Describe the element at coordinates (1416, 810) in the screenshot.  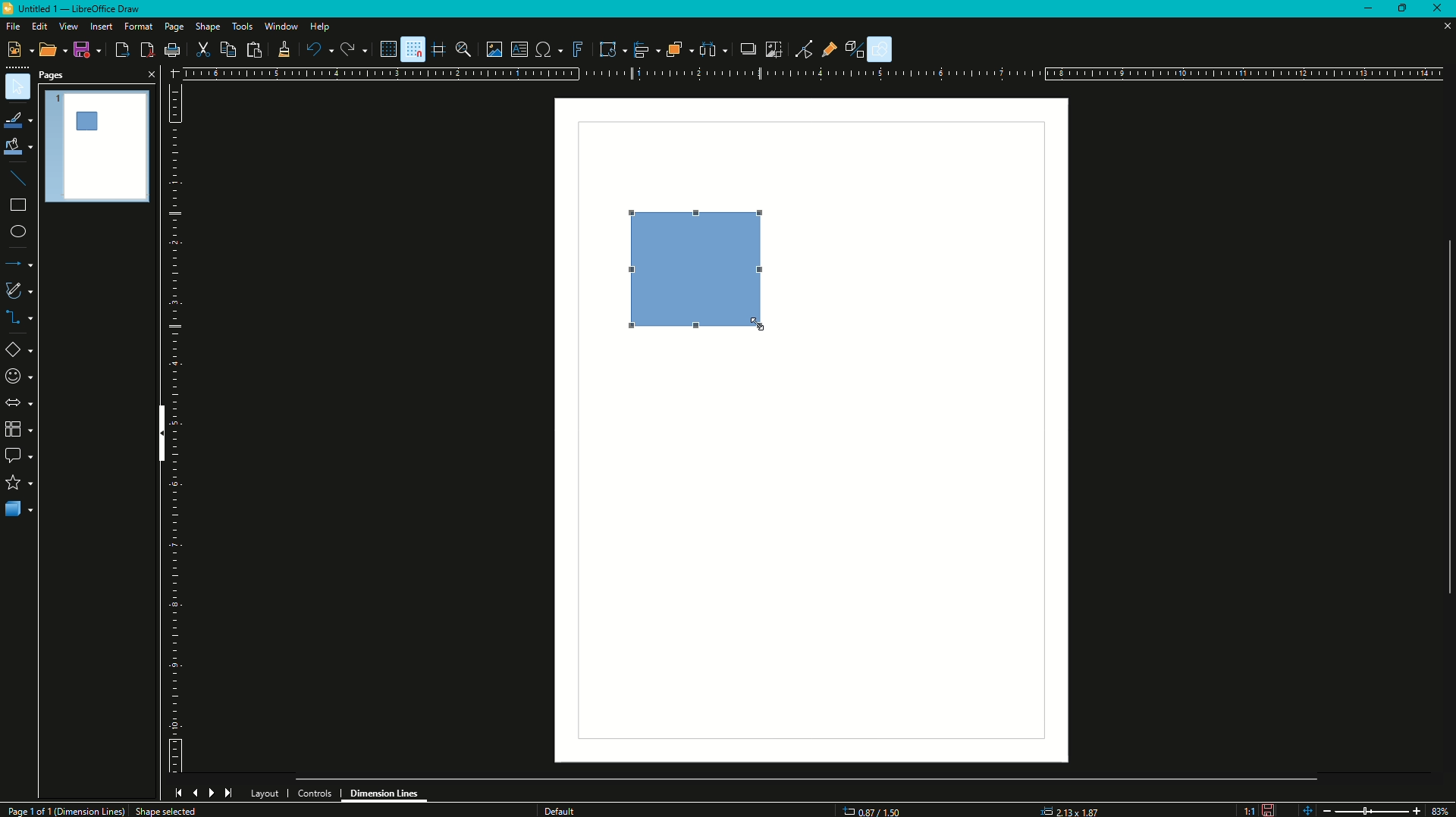
I see `Zoom in` at that location.